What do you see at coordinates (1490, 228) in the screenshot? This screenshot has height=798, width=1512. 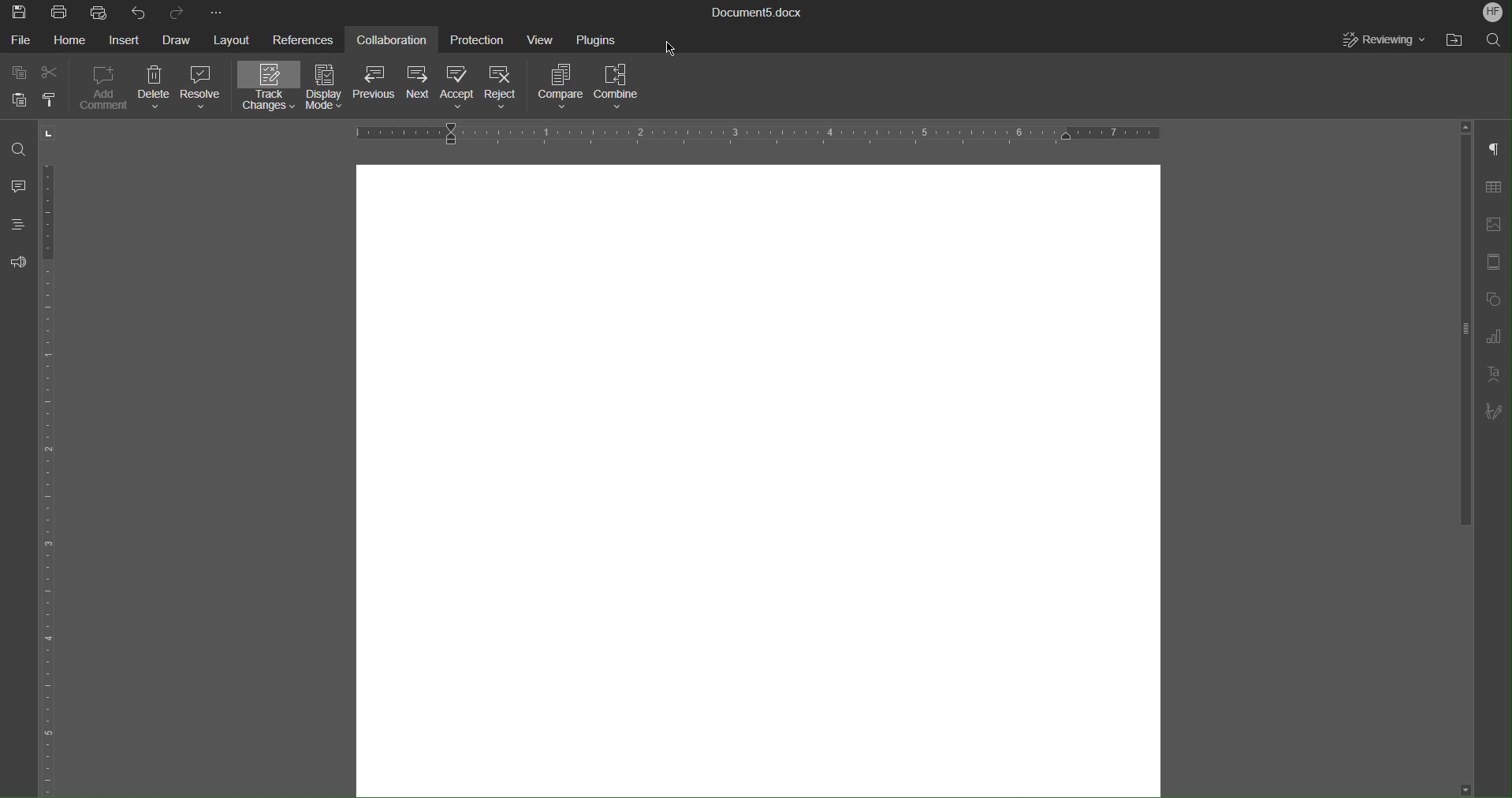 I see `Image Settings` at bounding box center [1490, 228].